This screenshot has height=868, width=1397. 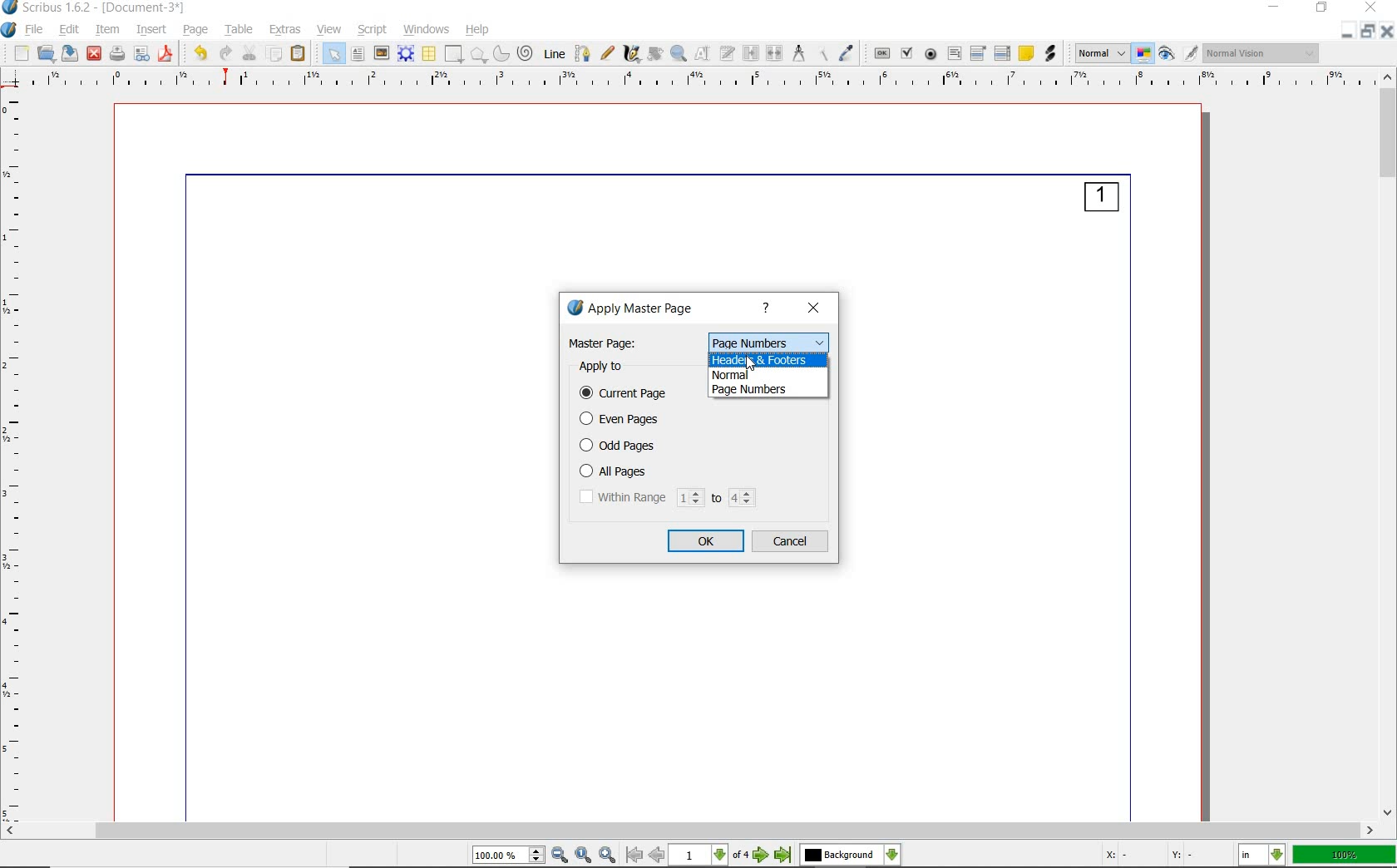 I want to click on table, so click(x=429, y=52).